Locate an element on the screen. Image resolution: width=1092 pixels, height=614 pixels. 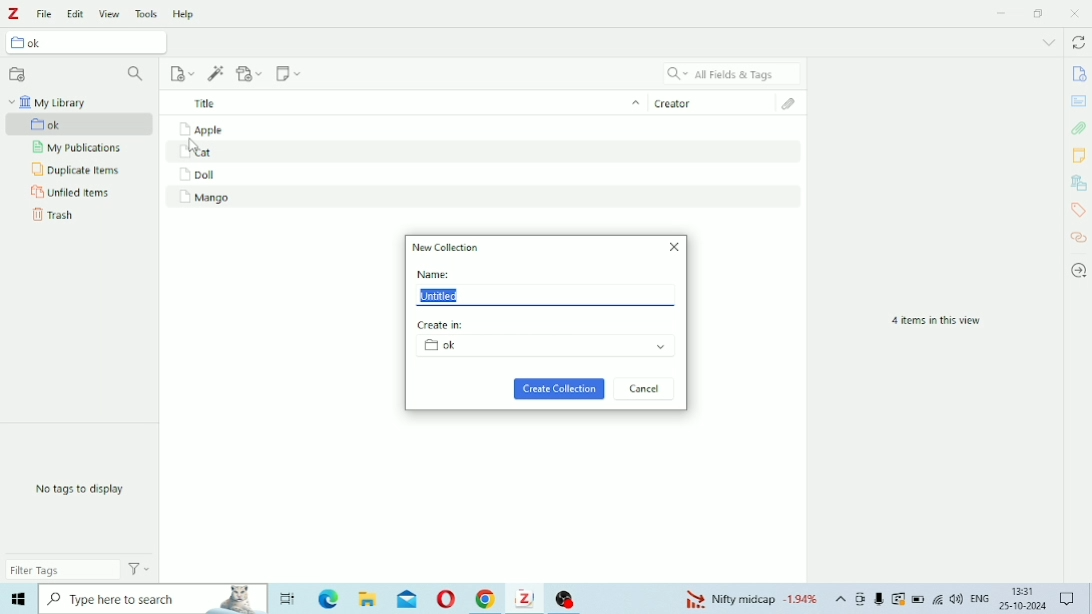
Mic is located at coordinates (879, 598).